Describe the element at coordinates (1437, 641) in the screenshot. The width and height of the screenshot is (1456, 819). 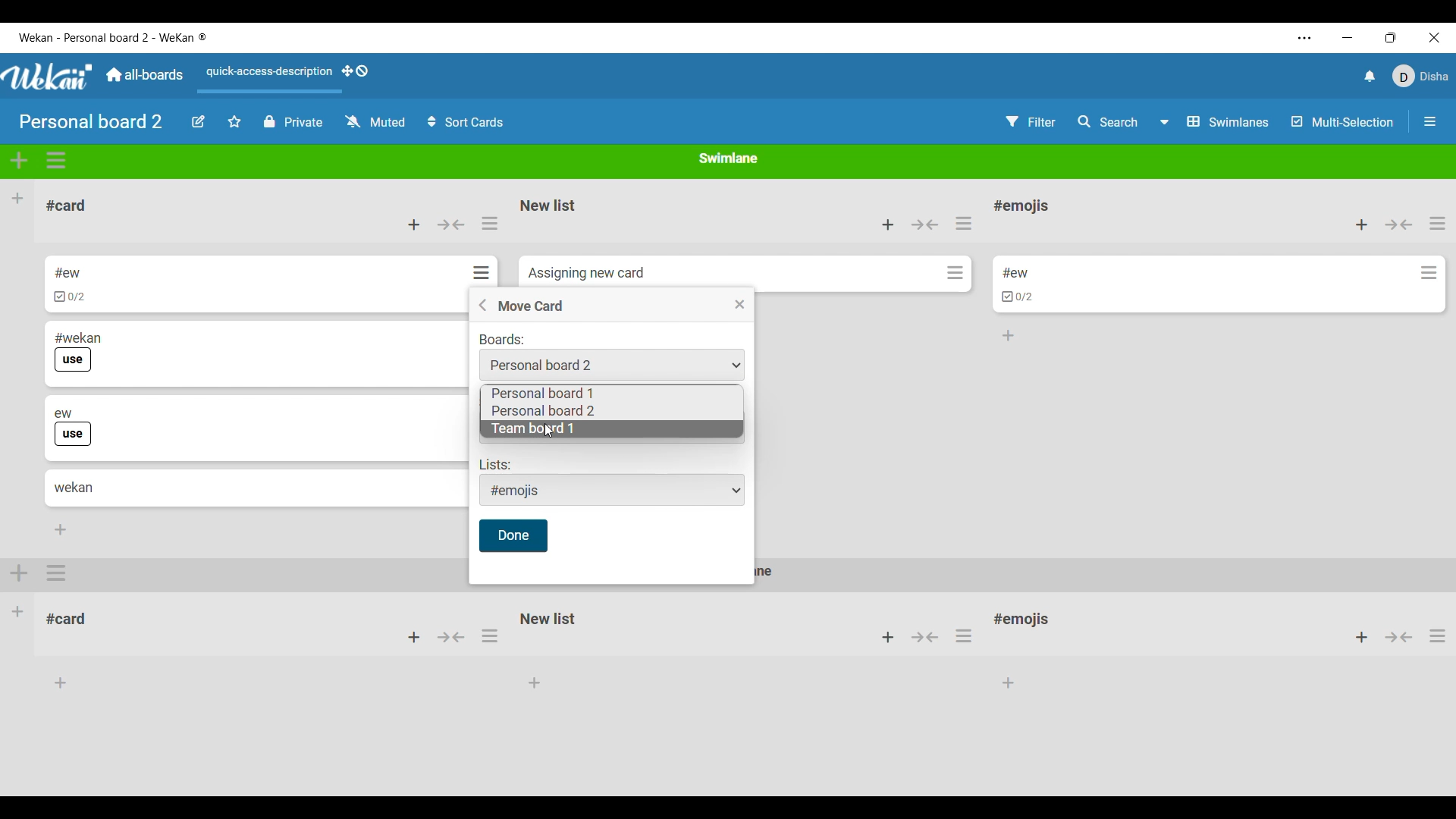
I see `options` at that location.